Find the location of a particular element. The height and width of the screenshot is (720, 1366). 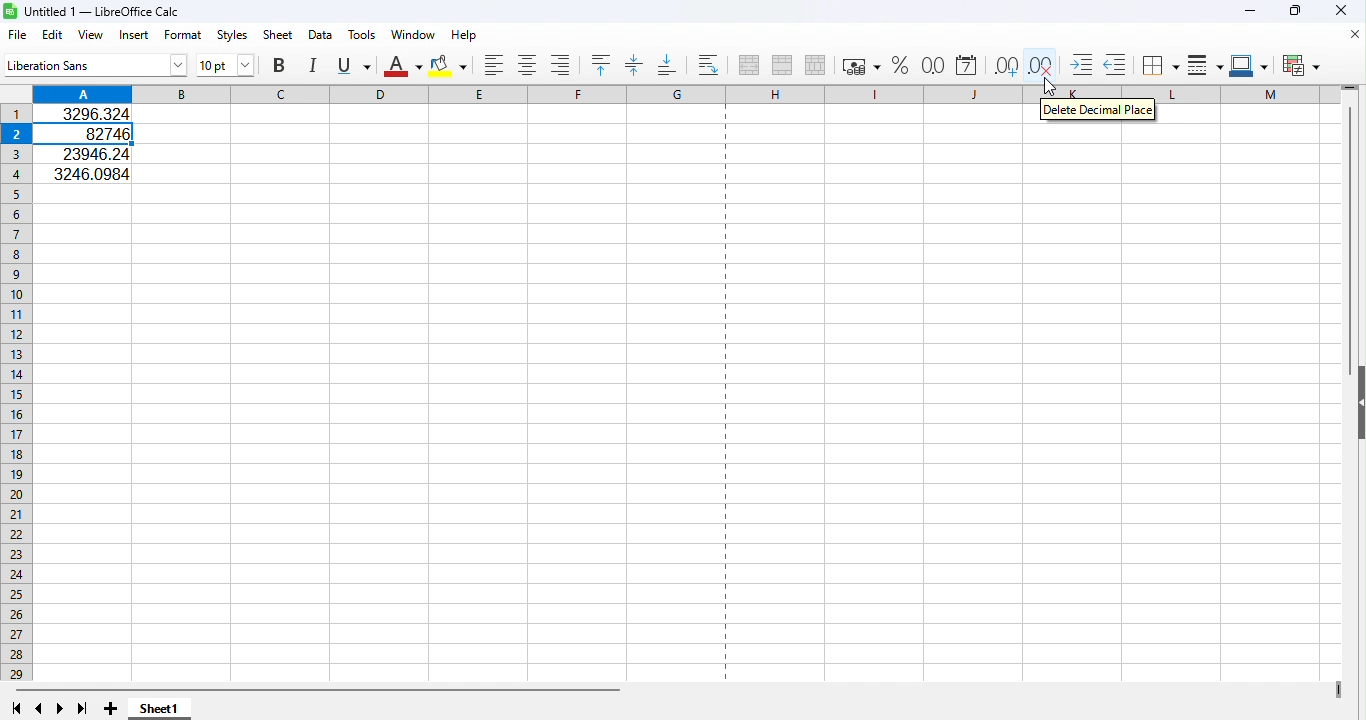

Format as decimal is located at coordinates (933, 64).